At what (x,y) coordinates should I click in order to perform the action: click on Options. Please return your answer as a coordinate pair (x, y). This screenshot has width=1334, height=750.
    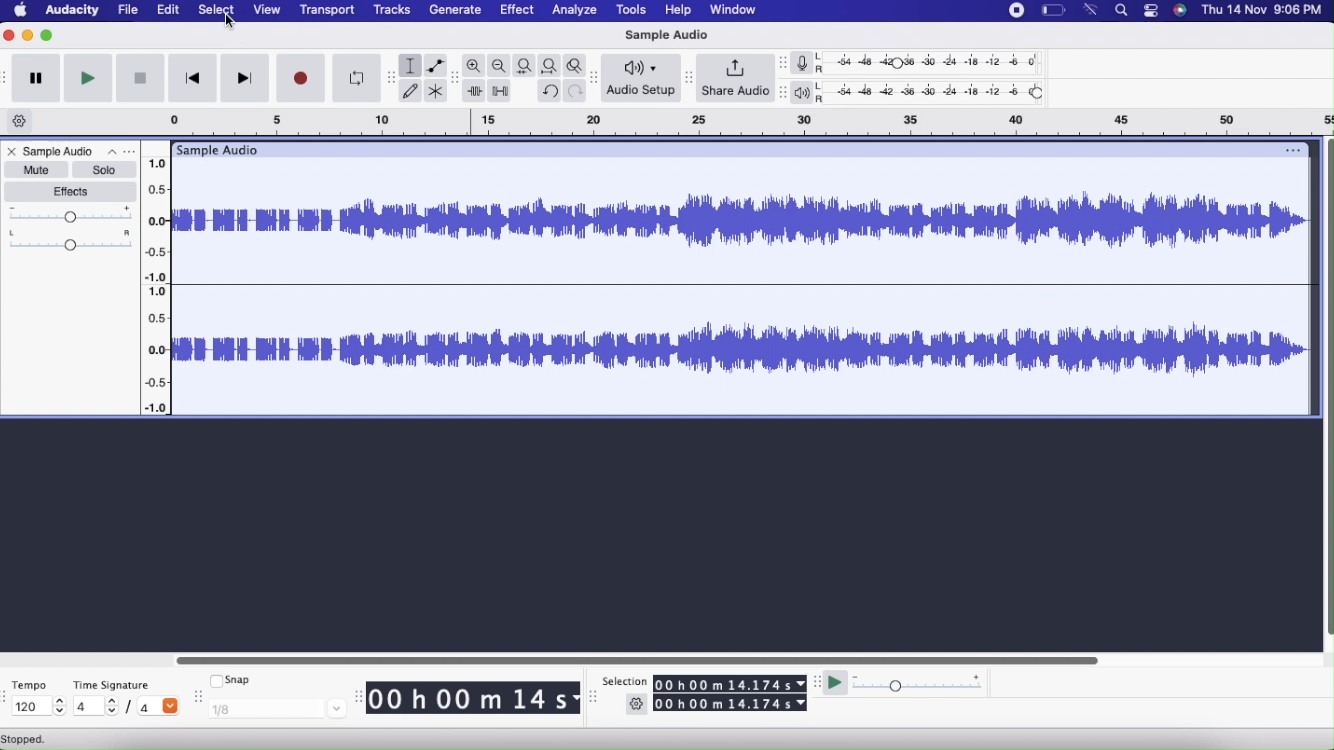
    Looking at the image, I should click on (122, 151).